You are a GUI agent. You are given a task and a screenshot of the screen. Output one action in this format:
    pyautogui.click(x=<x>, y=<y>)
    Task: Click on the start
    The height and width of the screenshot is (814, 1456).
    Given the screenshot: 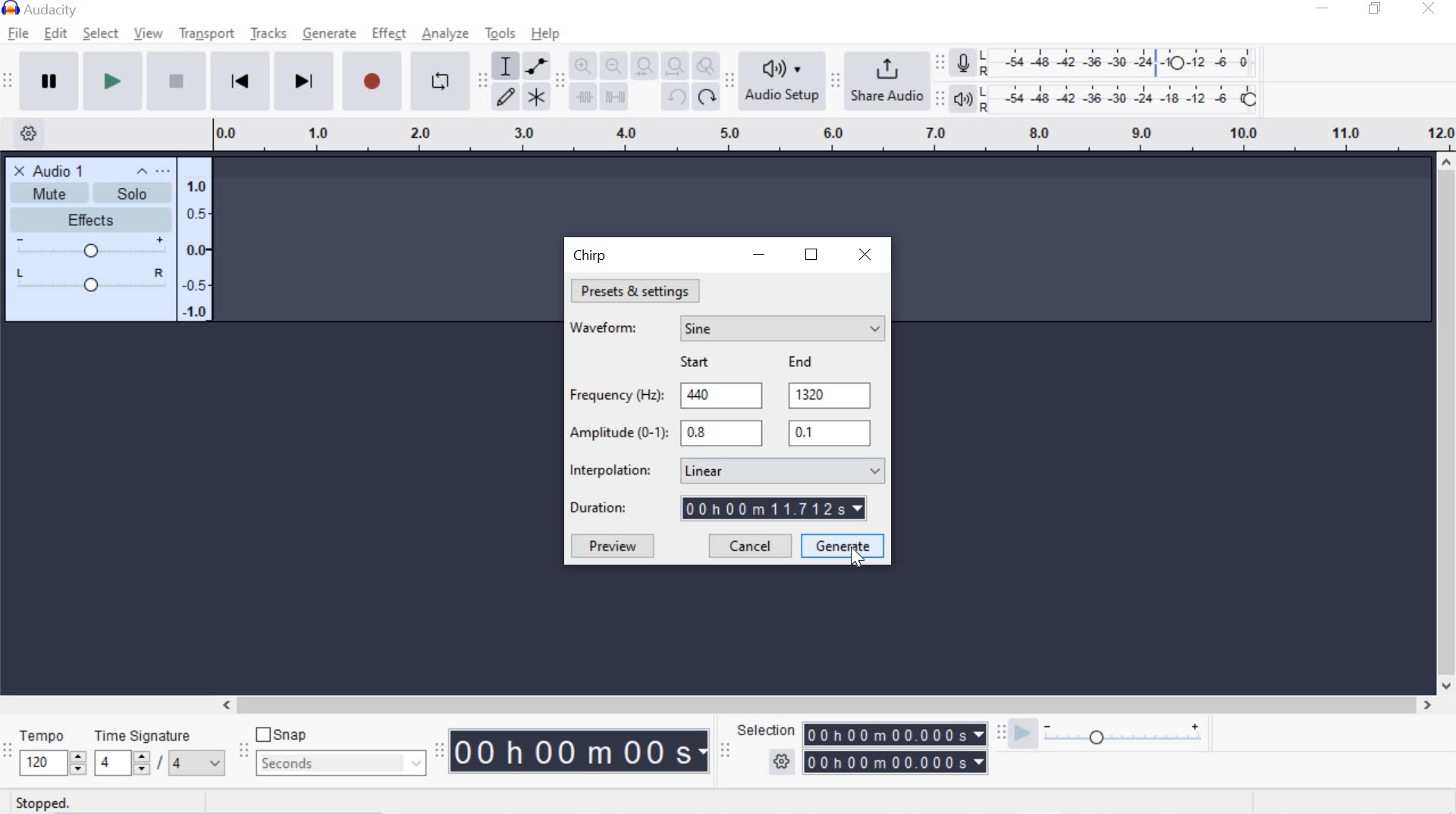 What is the action you would take?
    pyautogui.click(x=695, y=363)
    